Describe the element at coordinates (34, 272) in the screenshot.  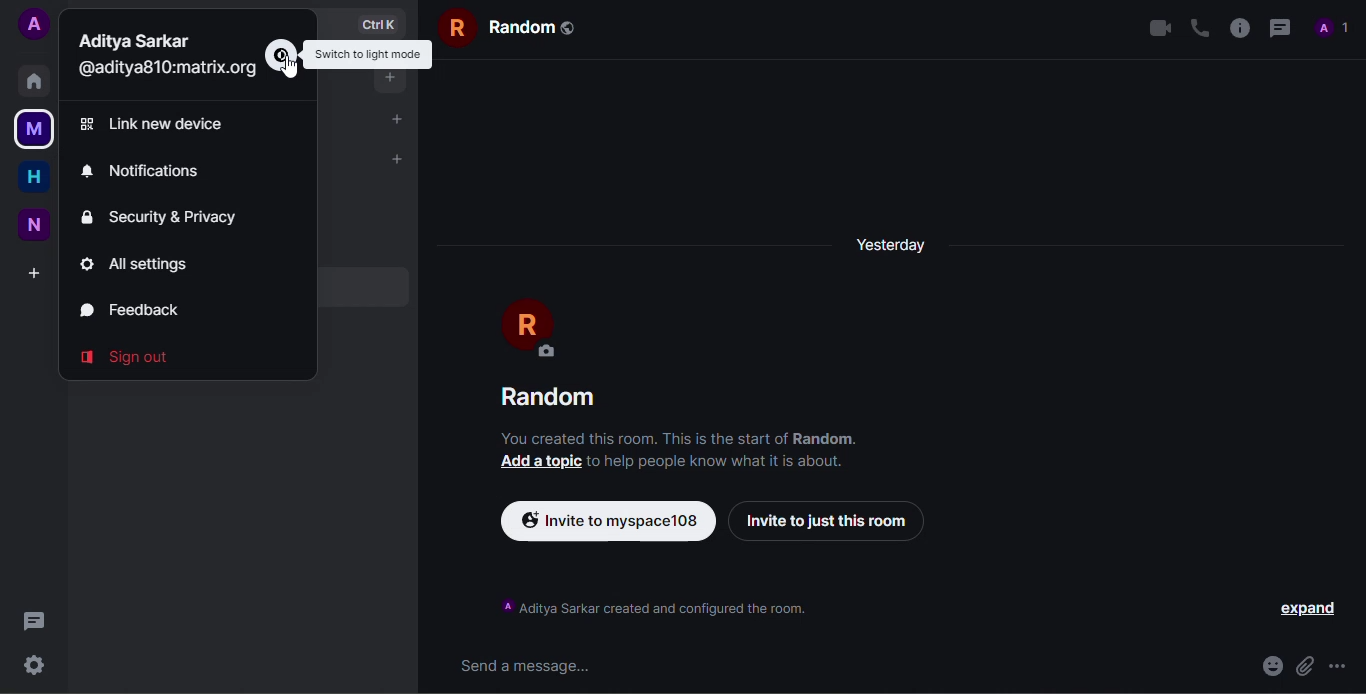
I see `add` at that location.